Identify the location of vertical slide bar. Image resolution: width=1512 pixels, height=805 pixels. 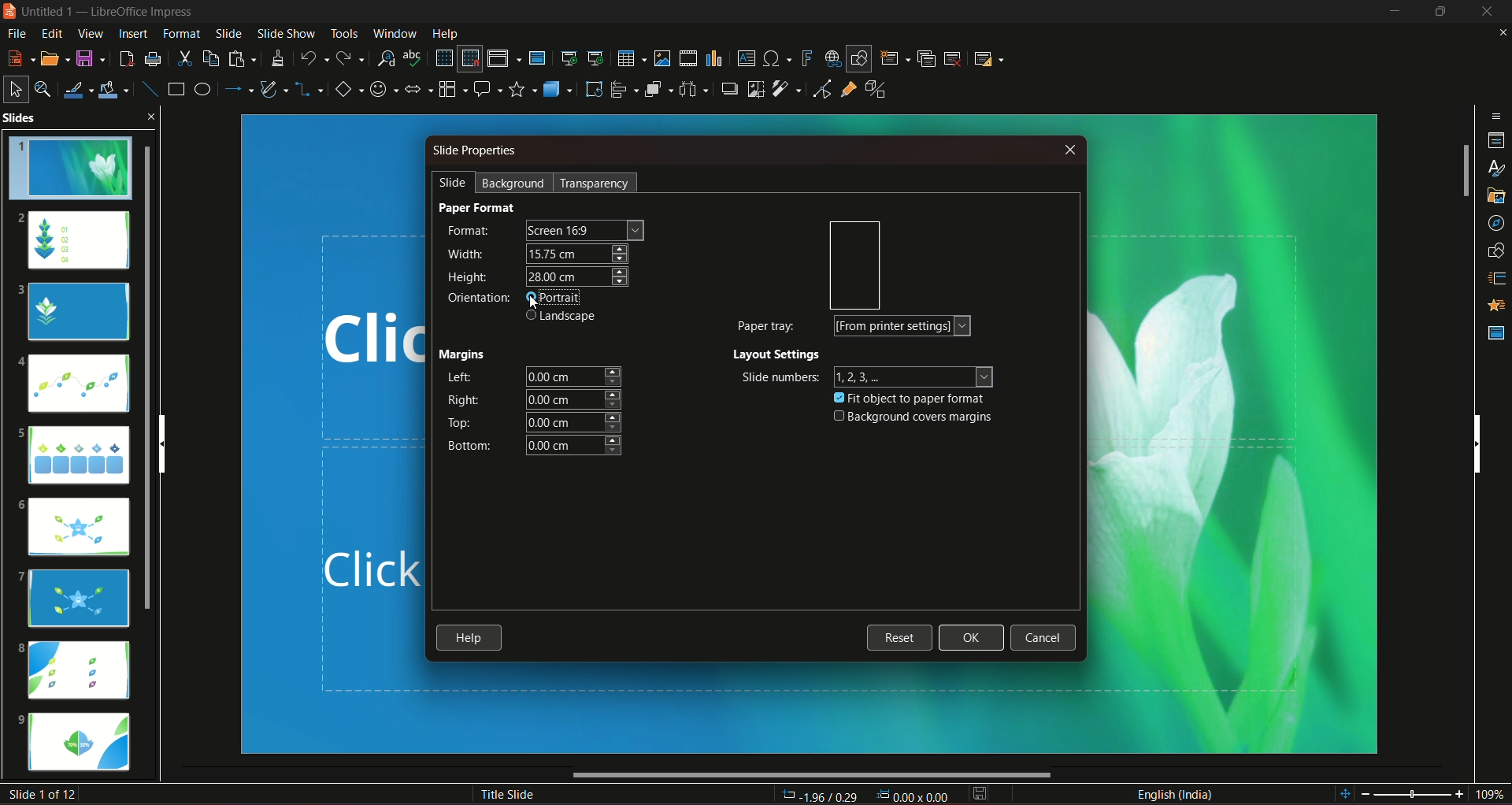
(1464, 172).